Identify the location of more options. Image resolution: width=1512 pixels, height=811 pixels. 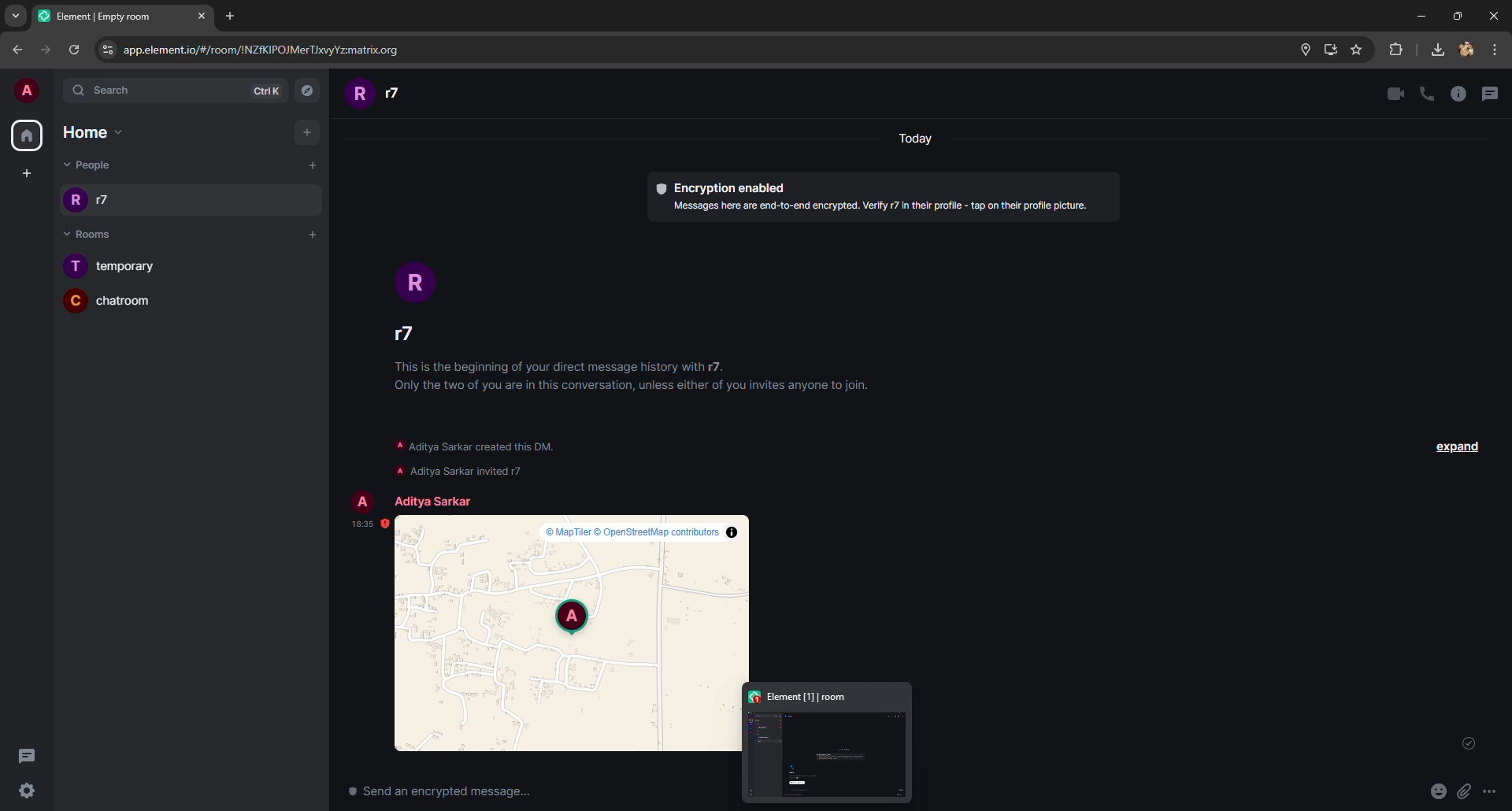
(1495, 53).